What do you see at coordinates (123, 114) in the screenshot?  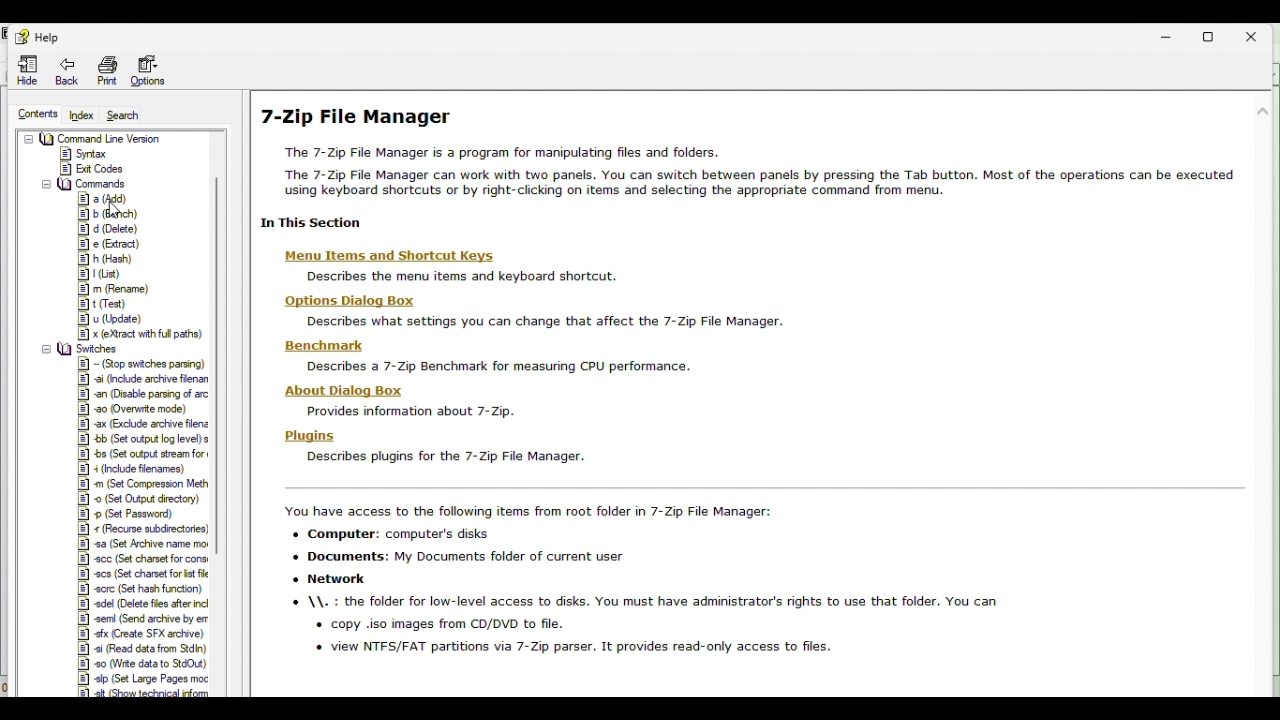 I see `Search` at bounding box center [123, 114].